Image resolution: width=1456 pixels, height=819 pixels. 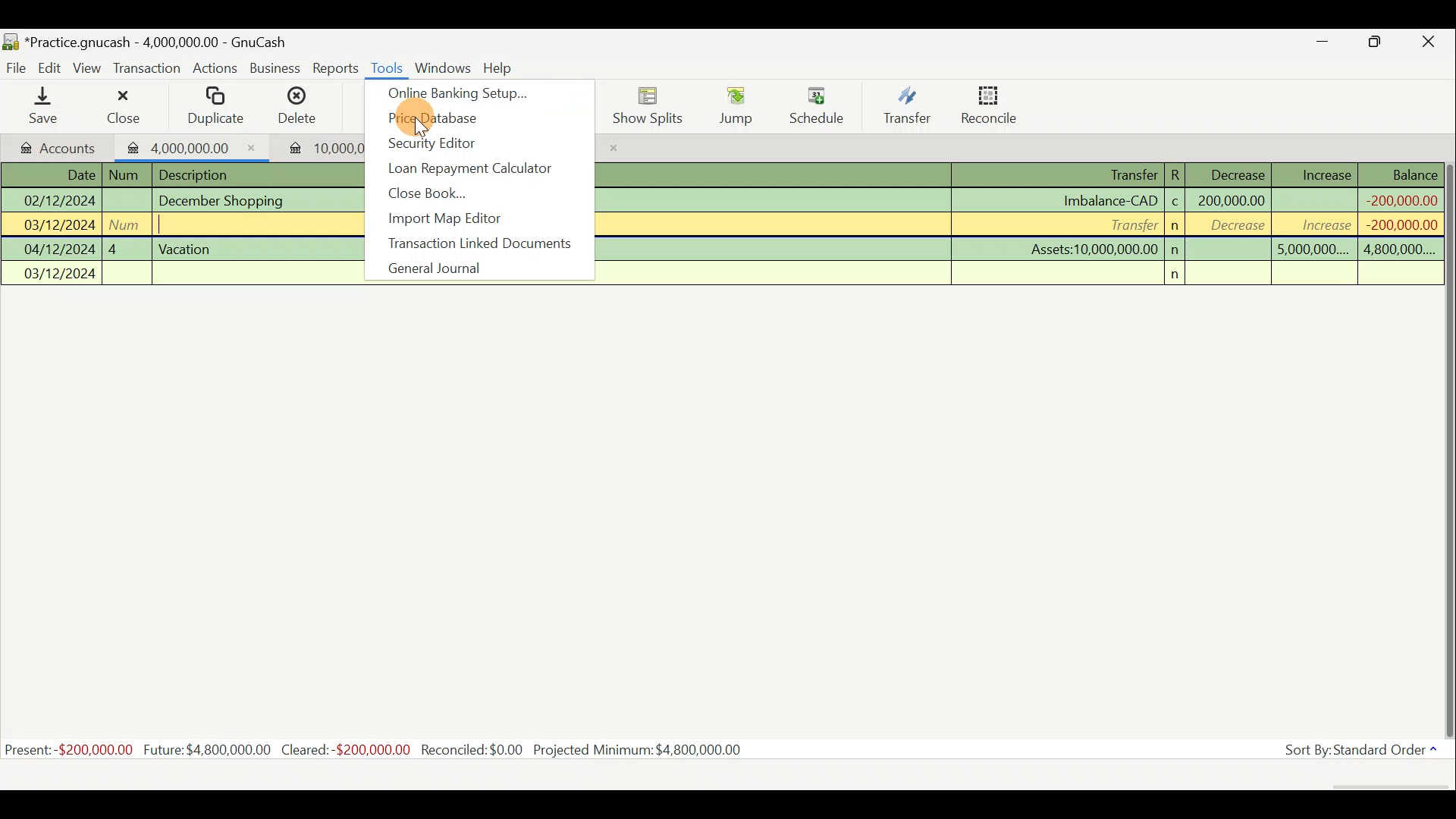 What do you see at coordinates (128, 224) in the screenshot?
I see `num` at bounding box center [128, 224].